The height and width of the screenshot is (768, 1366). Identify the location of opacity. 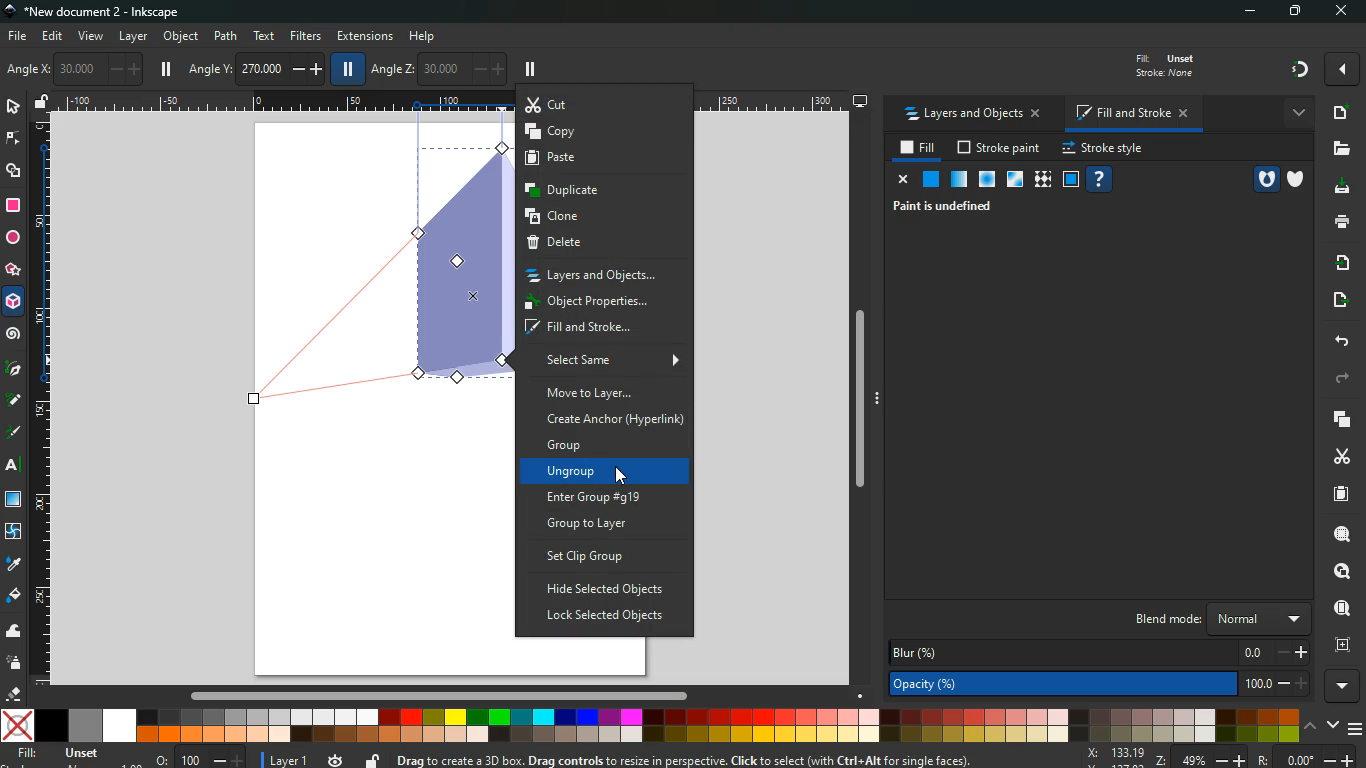
(1103, 686).